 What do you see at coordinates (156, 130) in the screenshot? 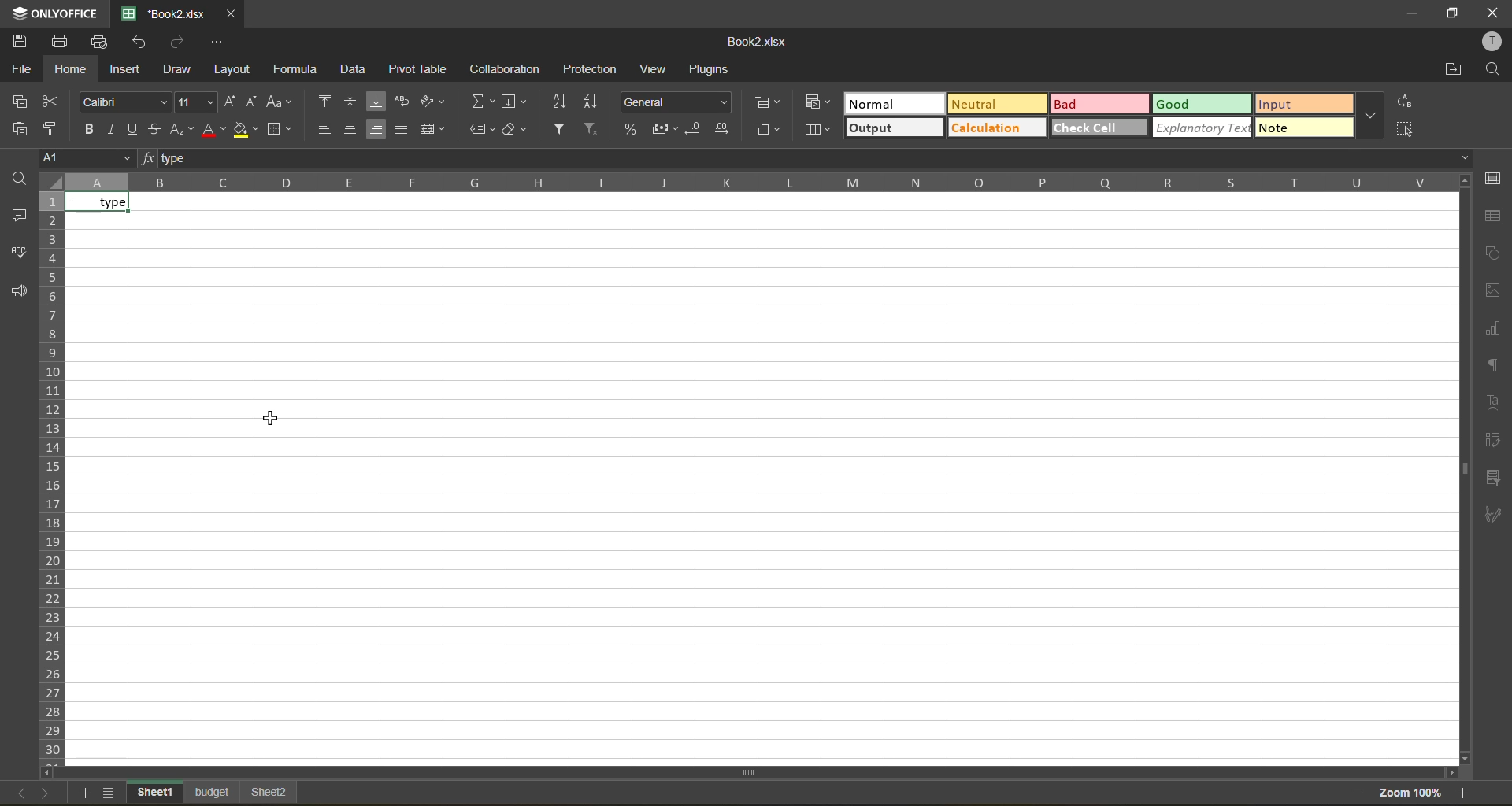
I see `strikethrough` at bounding box center [156, 130].